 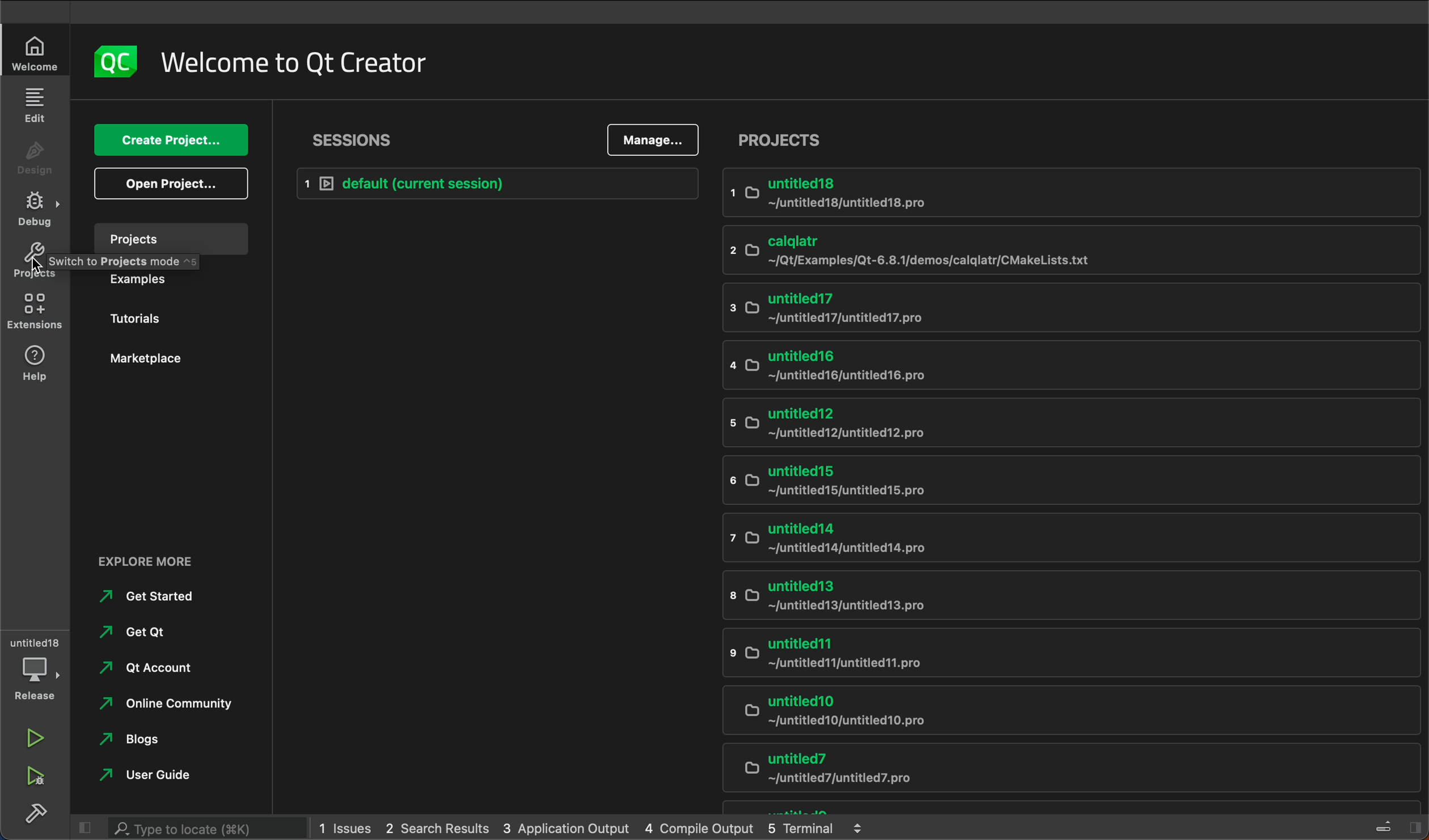 What do you see at coordinates (590, 825) in the screenshot?
I see `logs` at bounding box center [590, 825].